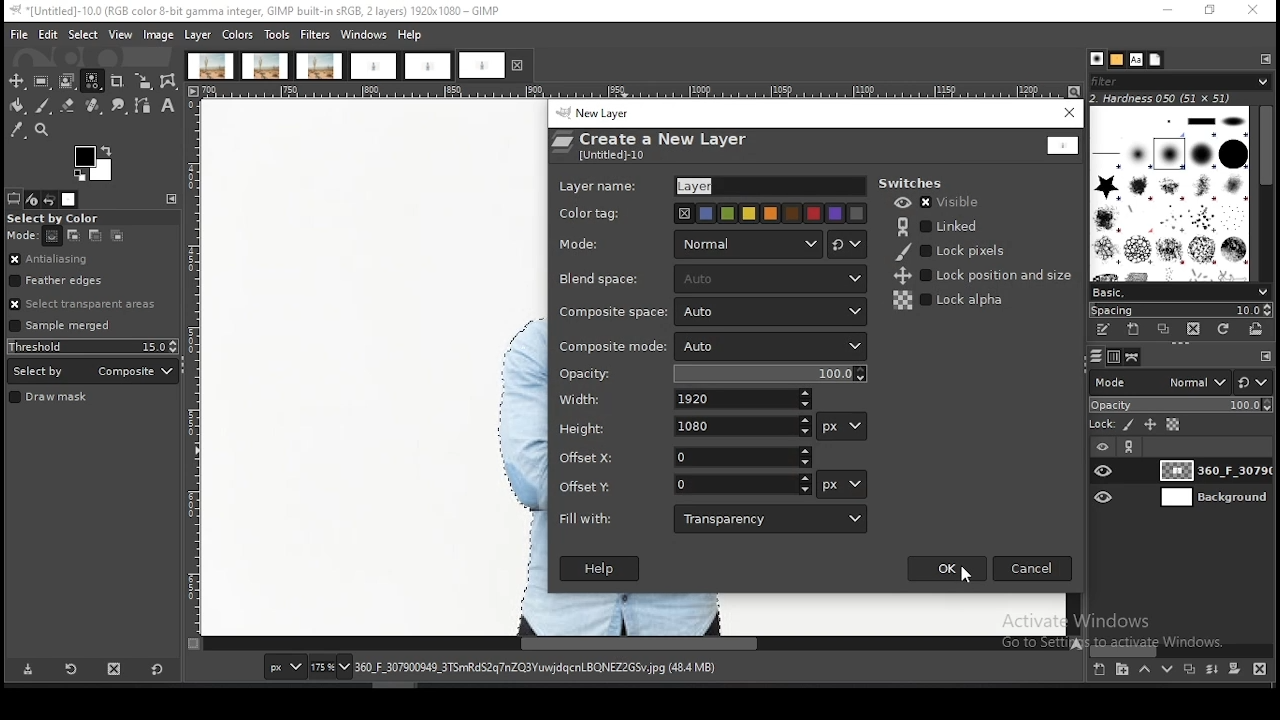 This screenshot has width=1280, height=720. I want to click on project tab, so click(373, 67).